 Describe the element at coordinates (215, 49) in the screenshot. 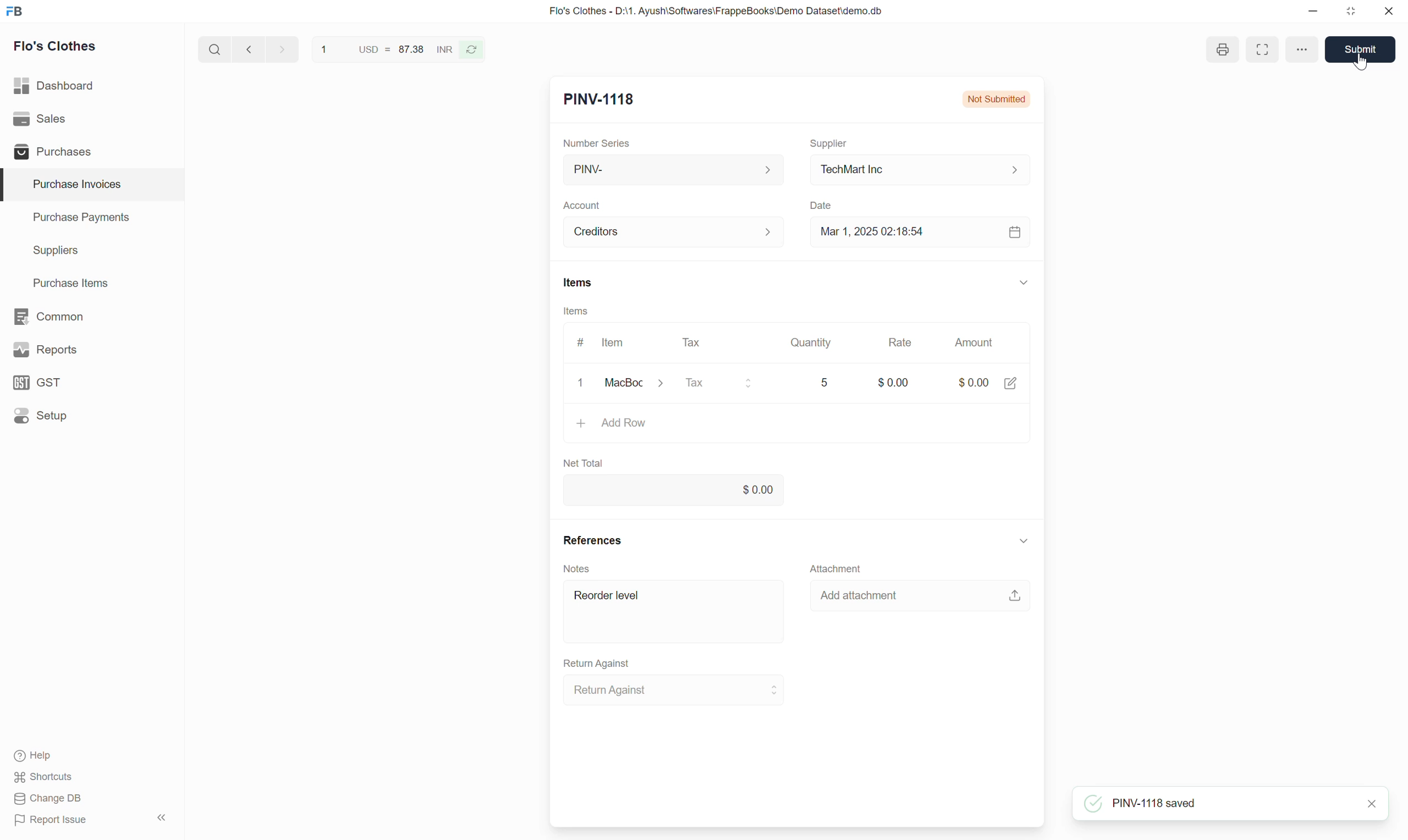

I see `Search` at that location.